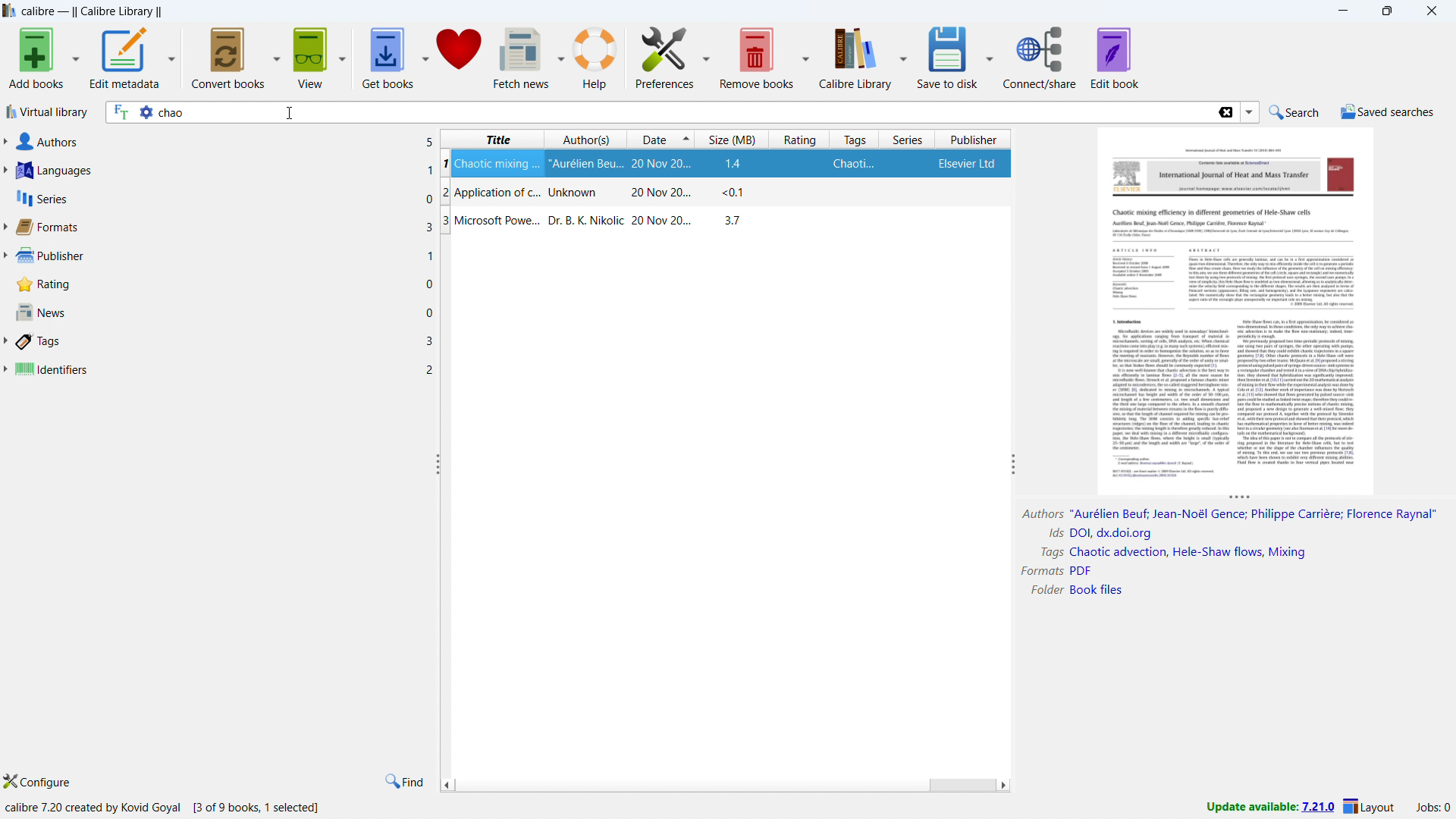 This screenshot has width=1456, height=819. Describe the element at coordinates (93, 806) in the screenshot. I see `calibre 7.20 created by kovid Goyal` at that location.